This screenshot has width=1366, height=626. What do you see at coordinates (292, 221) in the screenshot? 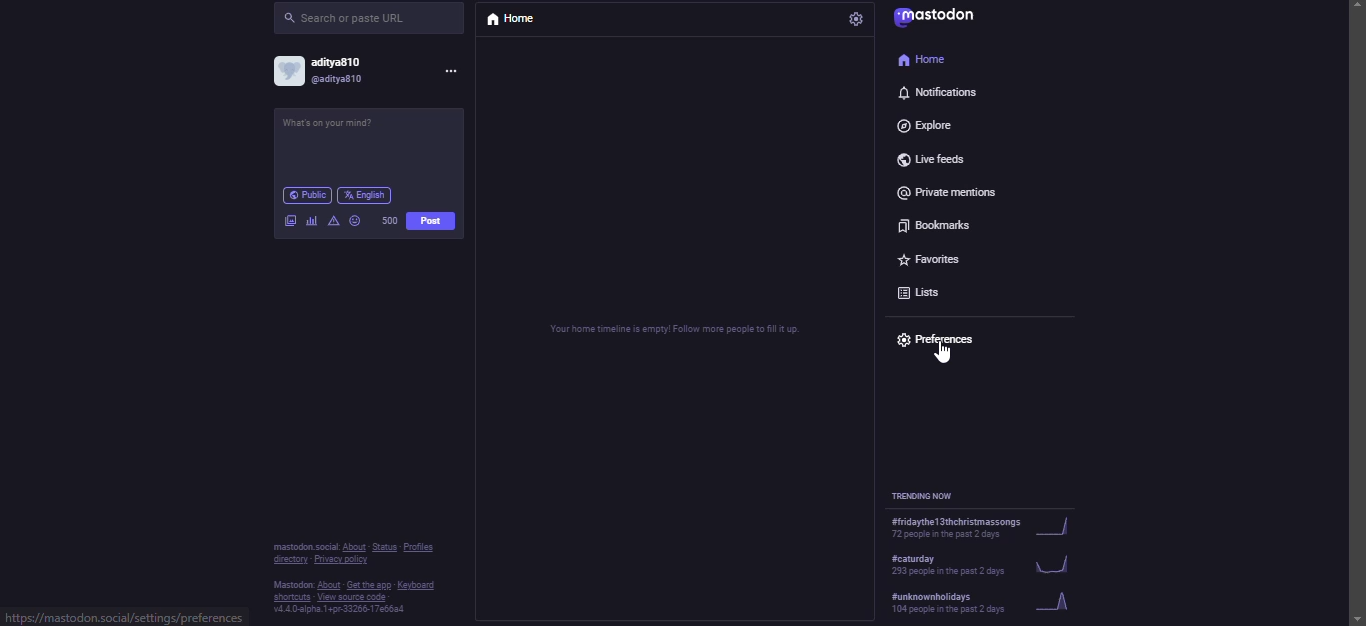
I see `image` at bounding box center [292, 221].